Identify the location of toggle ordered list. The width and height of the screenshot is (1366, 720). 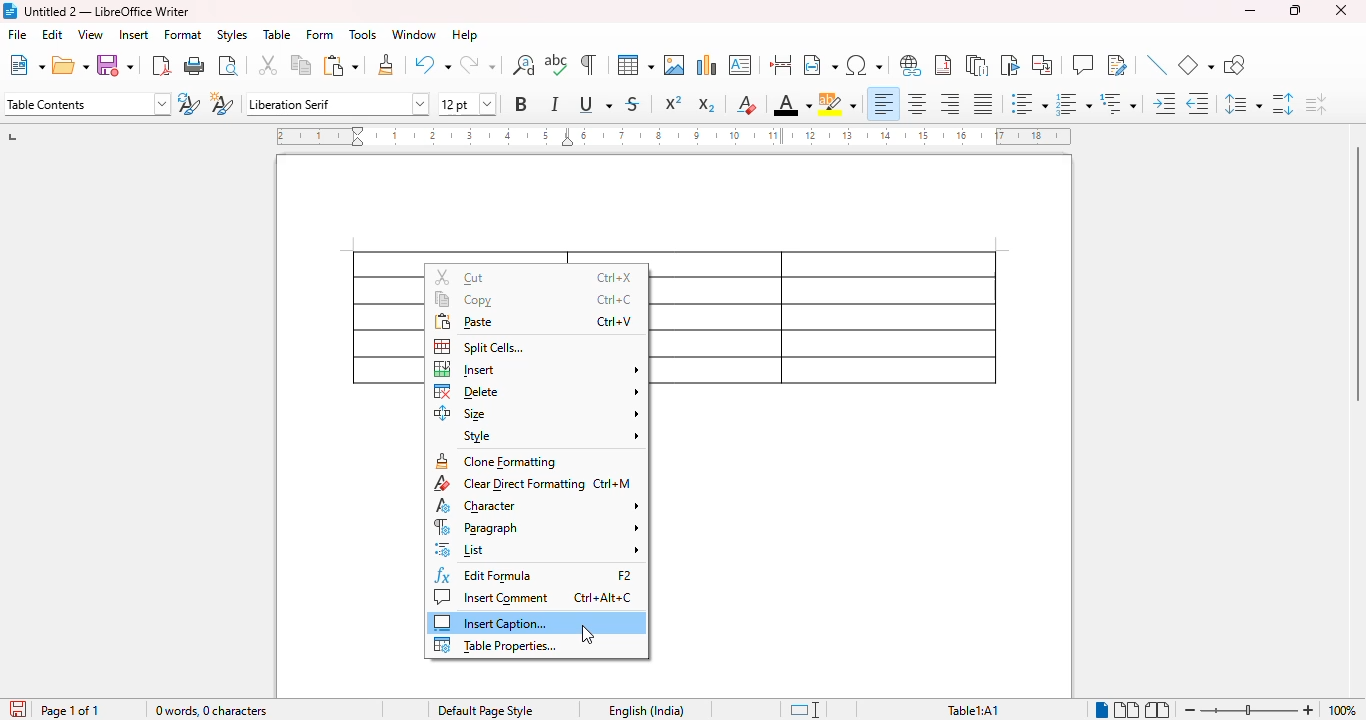
(1074, 104).